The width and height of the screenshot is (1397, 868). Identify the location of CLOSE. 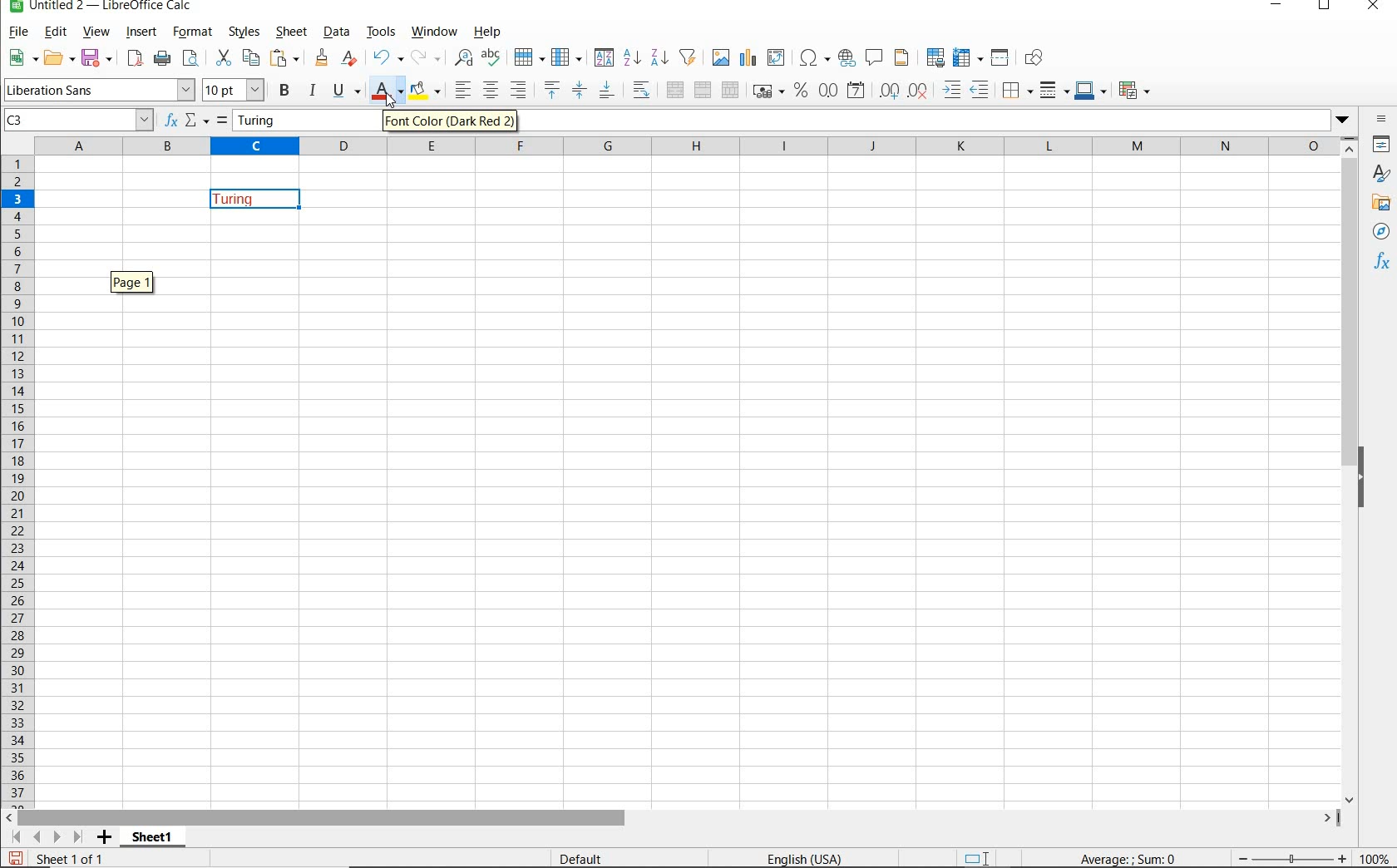
(1374, 8).